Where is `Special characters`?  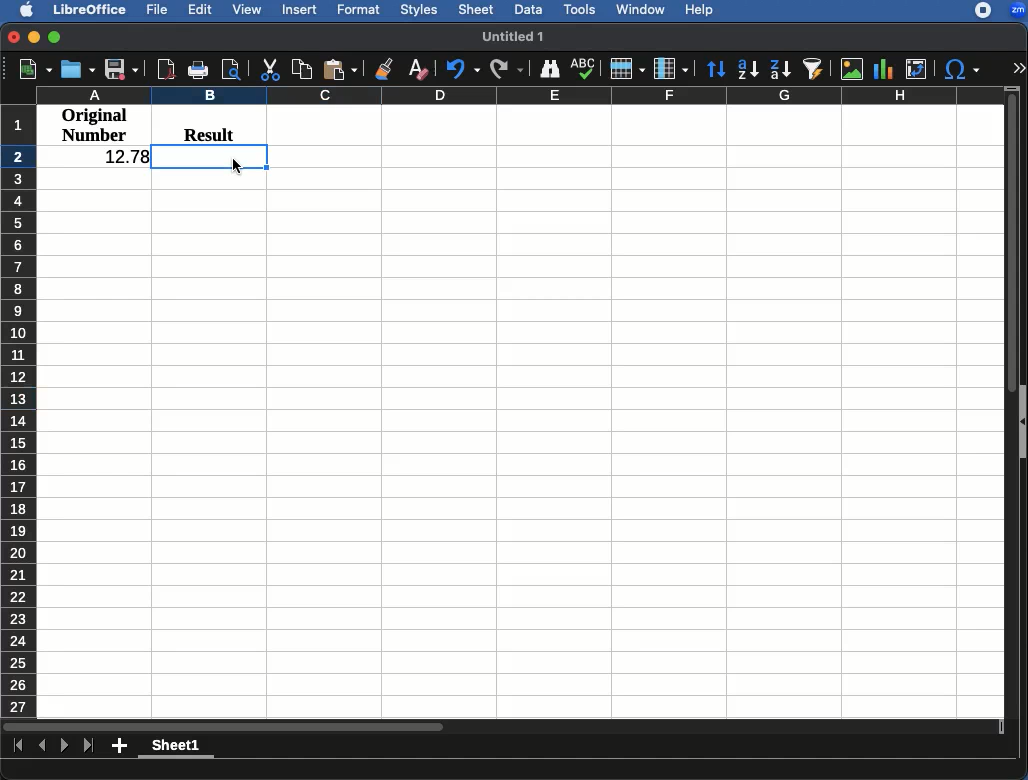 Special characters is located at coordinates (964, 69).